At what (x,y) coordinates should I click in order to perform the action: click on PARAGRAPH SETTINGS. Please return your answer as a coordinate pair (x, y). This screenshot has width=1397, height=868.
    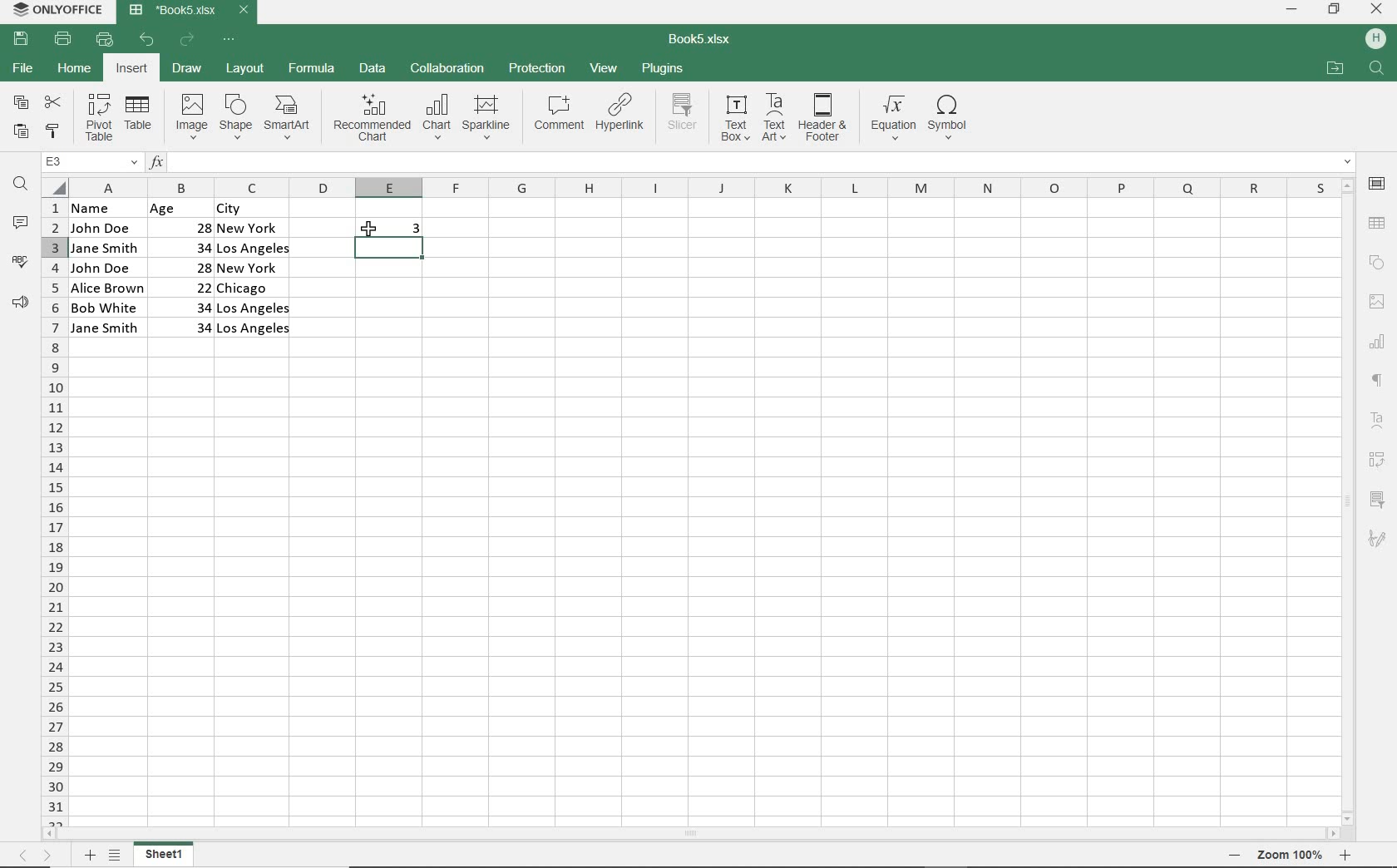
    Looking at the image, I should click on (1380, 380).